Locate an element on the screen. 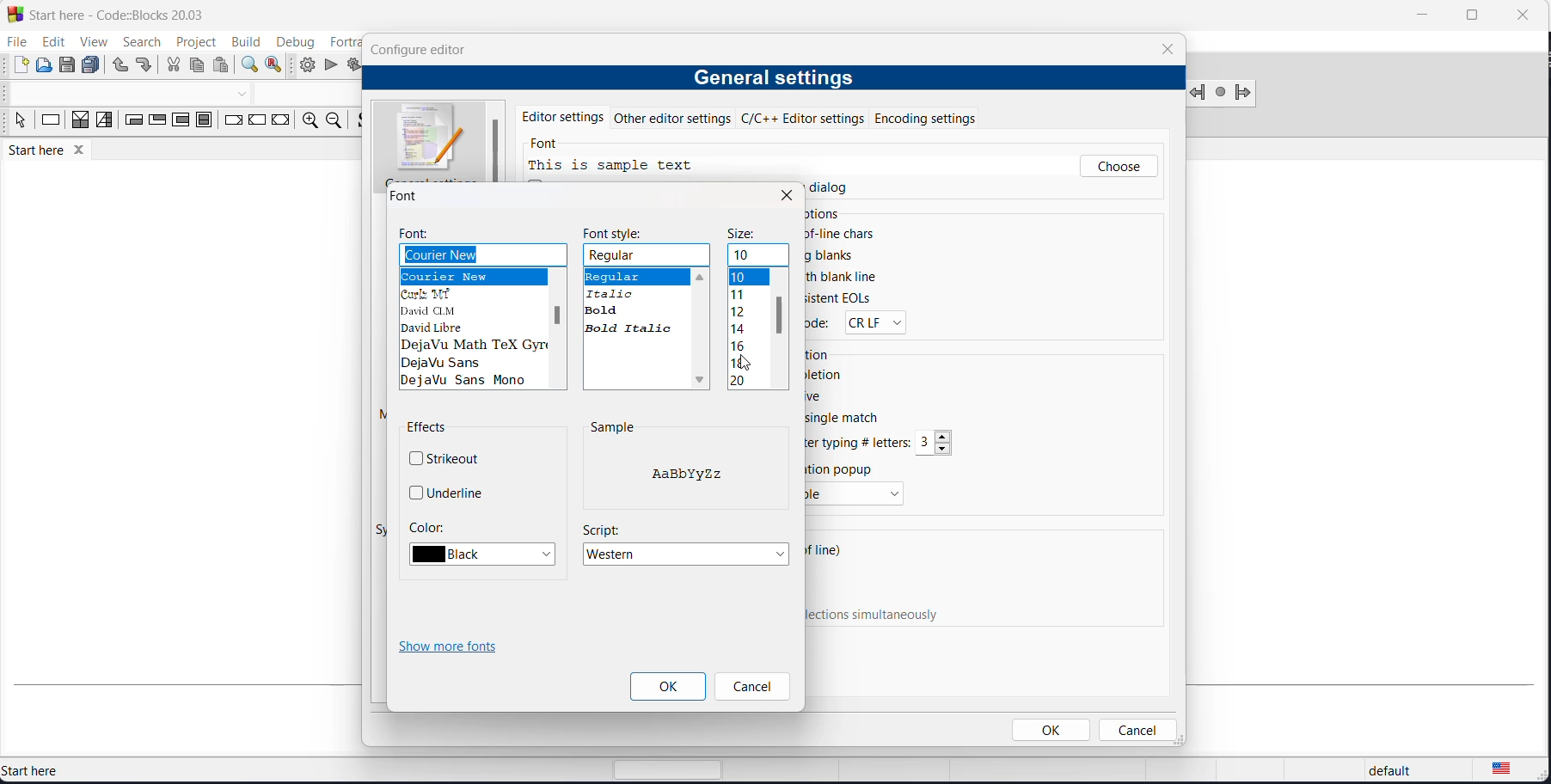 The width and height of the screenshot is (1551, 784). tab options is located at coordinates (574, 214).